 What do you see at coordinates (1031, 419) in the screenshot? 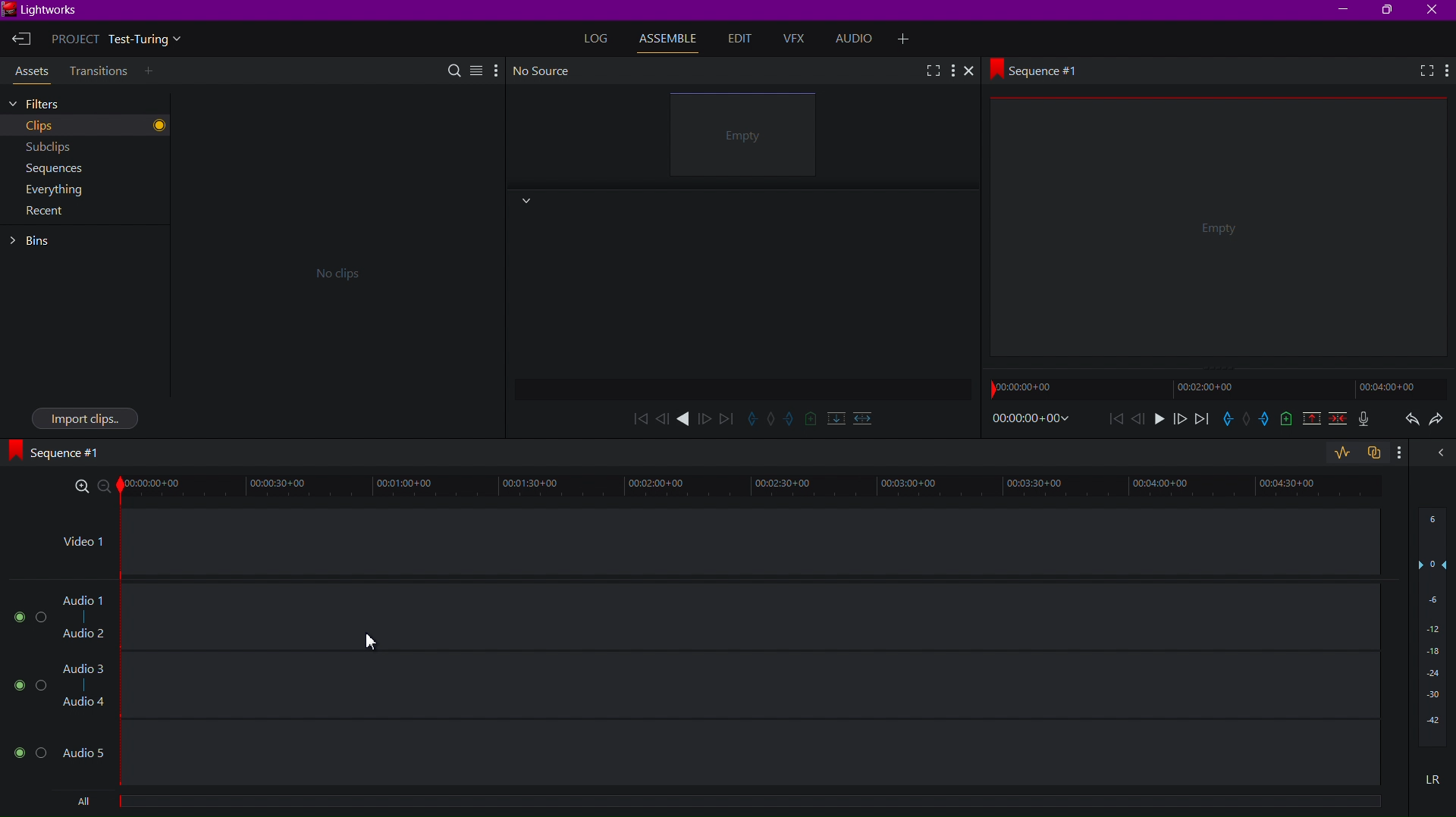
I see `Timestamp` at bounding box center [1031, 419].